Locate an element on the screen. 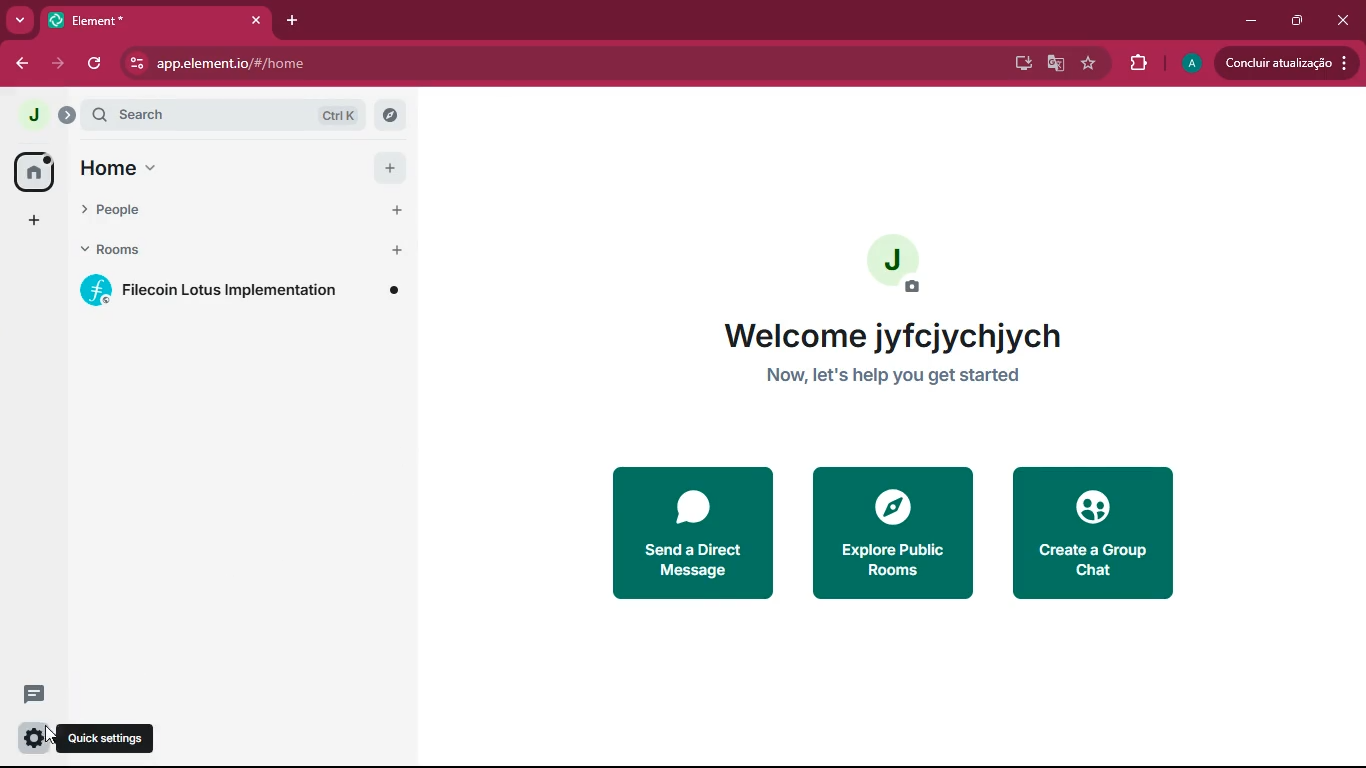  quick settings is located at coordinates (34, 738).